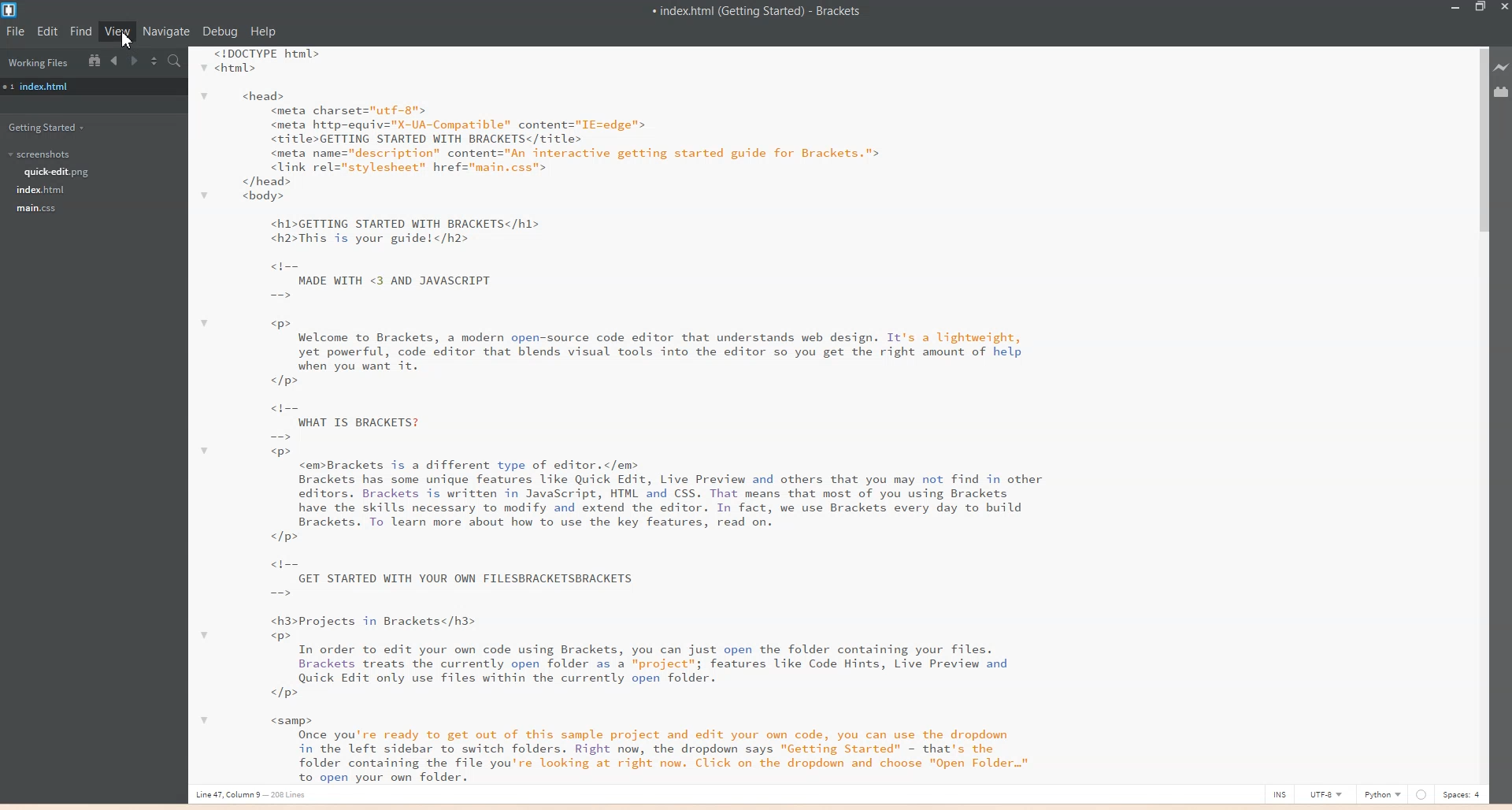 This screenshot has height=810, width=1512. Describe the element at coordinates (1384, 793) in the screenshot. I see `Python` at that location.